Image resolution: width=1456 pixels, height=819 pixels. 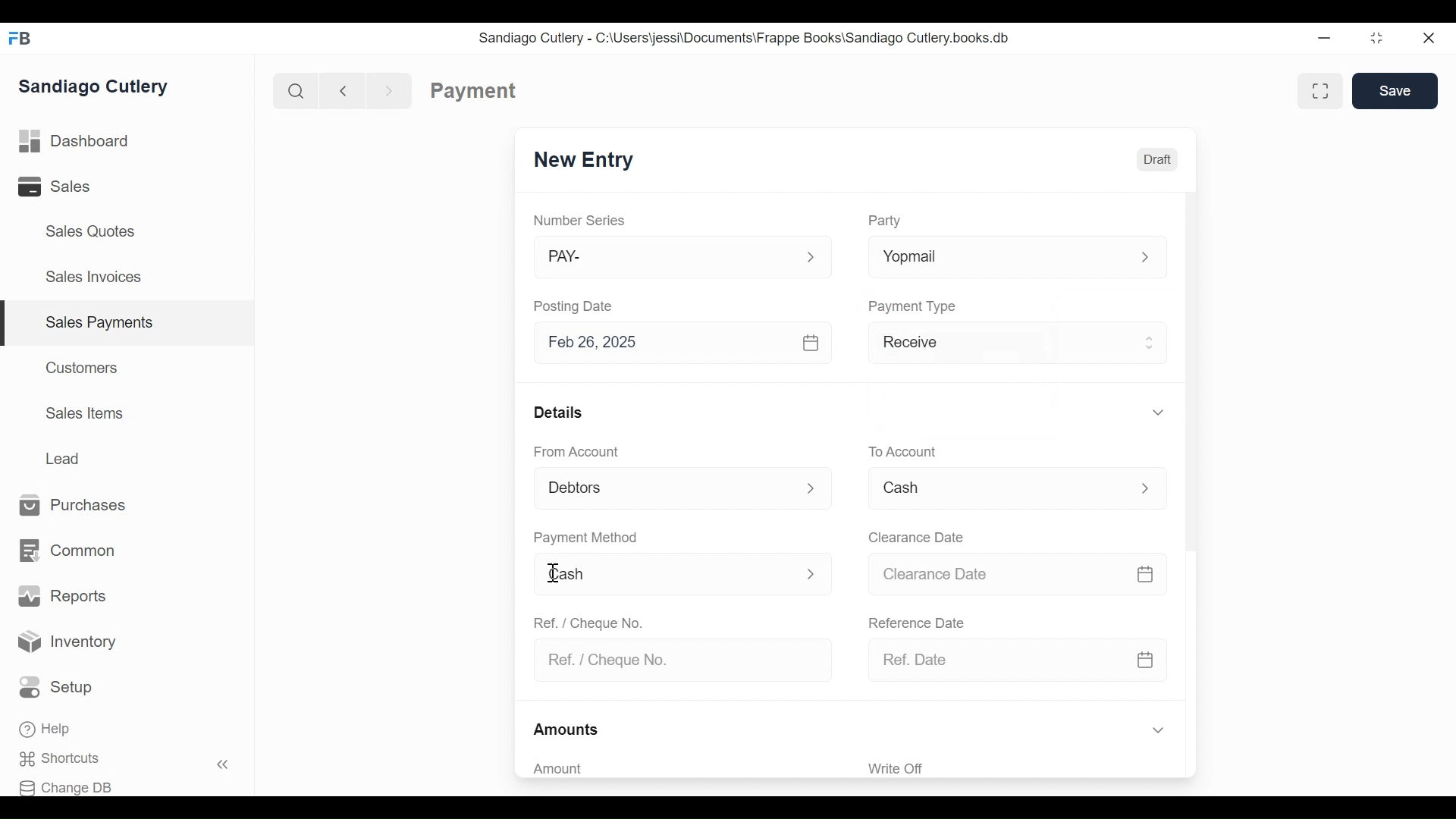 I want to click on Dashboard, so click(x=74, y=142).